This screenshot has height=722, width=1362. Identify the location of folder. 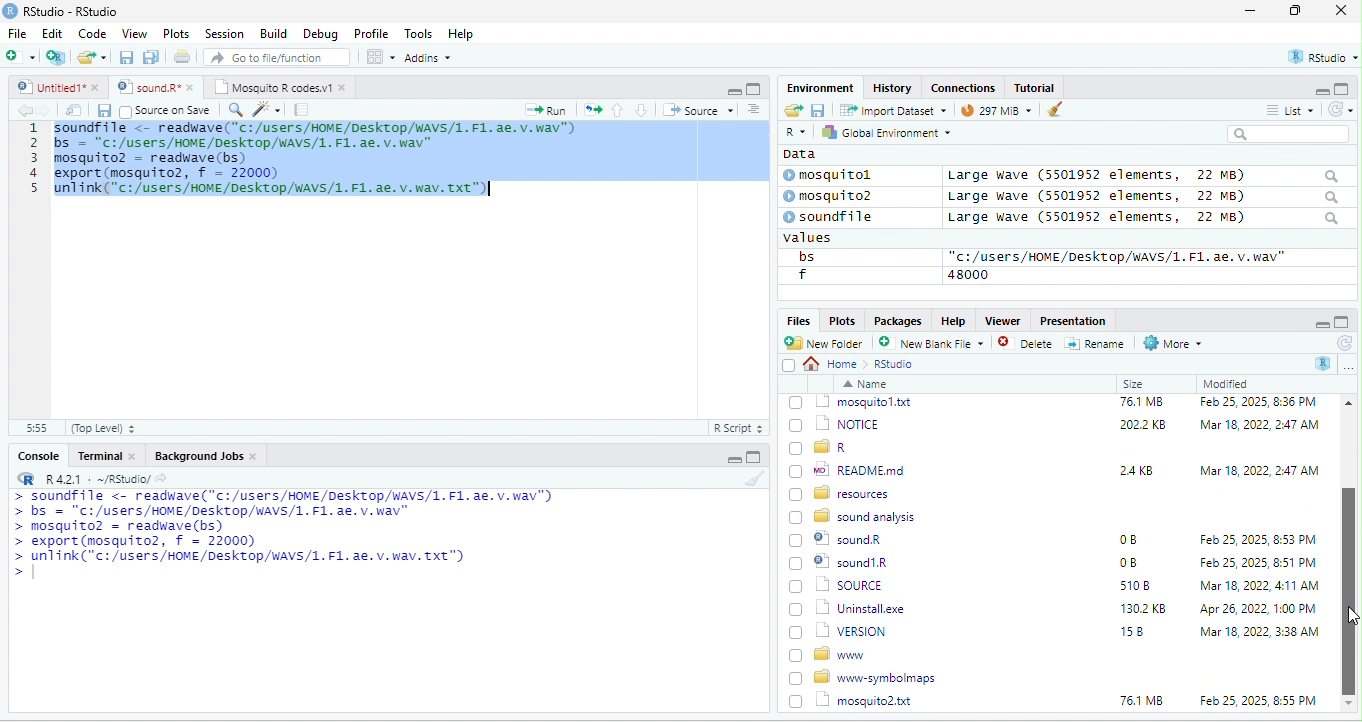
(94, 57).